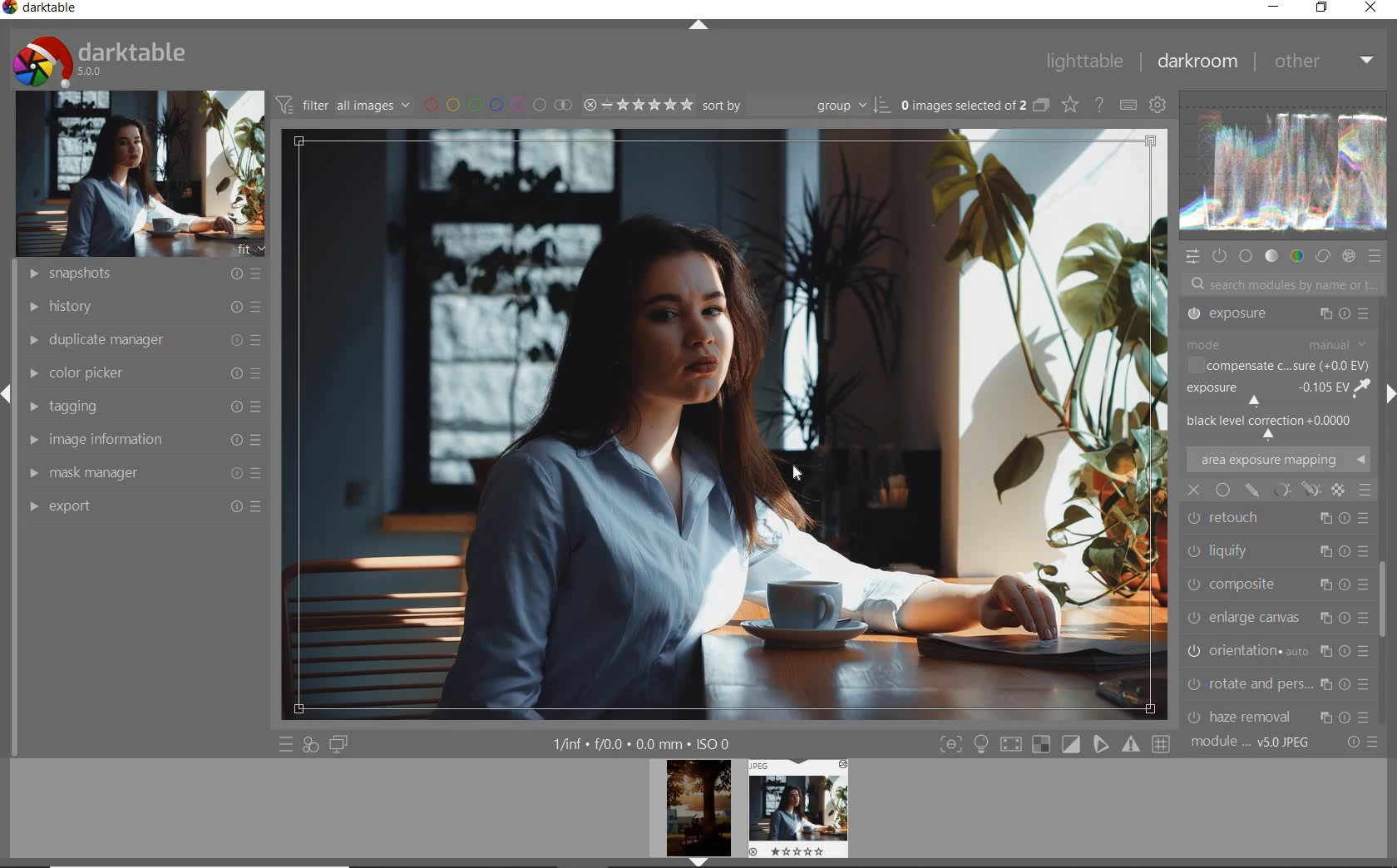  Describe the element at coordinates (141, 405) in the screenshot. I see `TAGGING` at that location.